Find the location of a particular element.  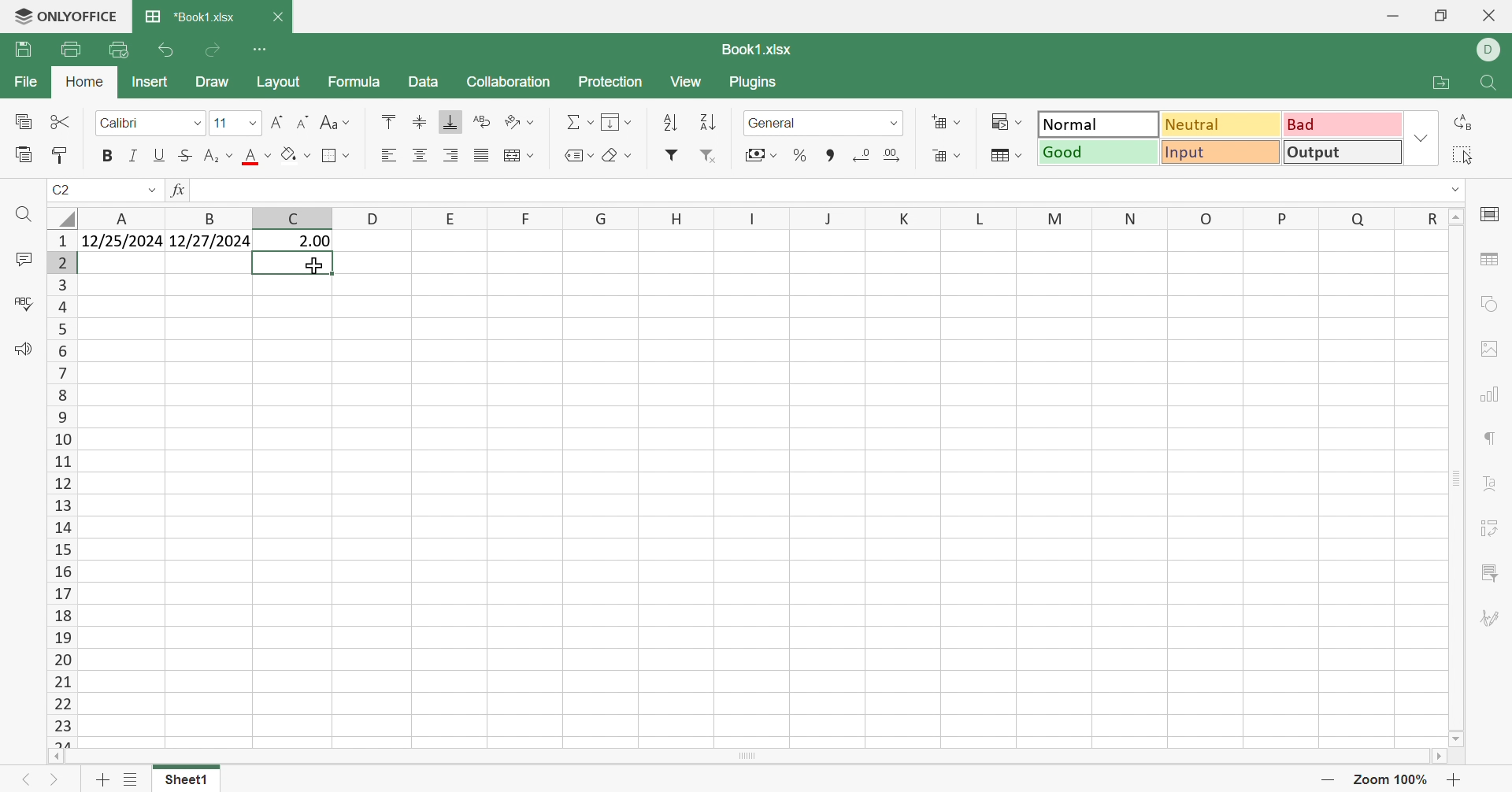

Align Middle is located at coordinates (420, 124).